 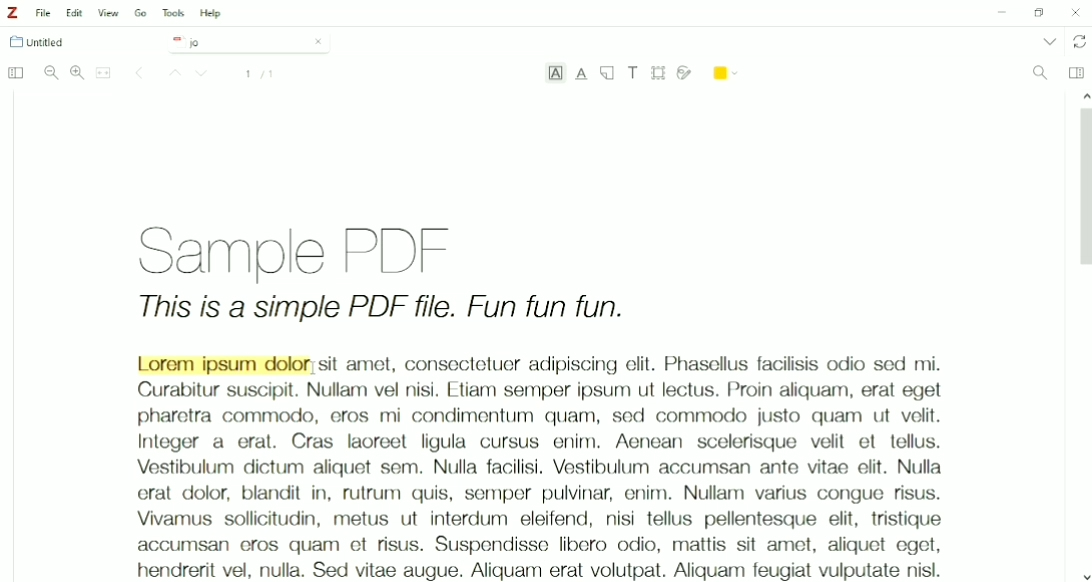 I want to click on Zoom Out, so click(x=51, y=73).